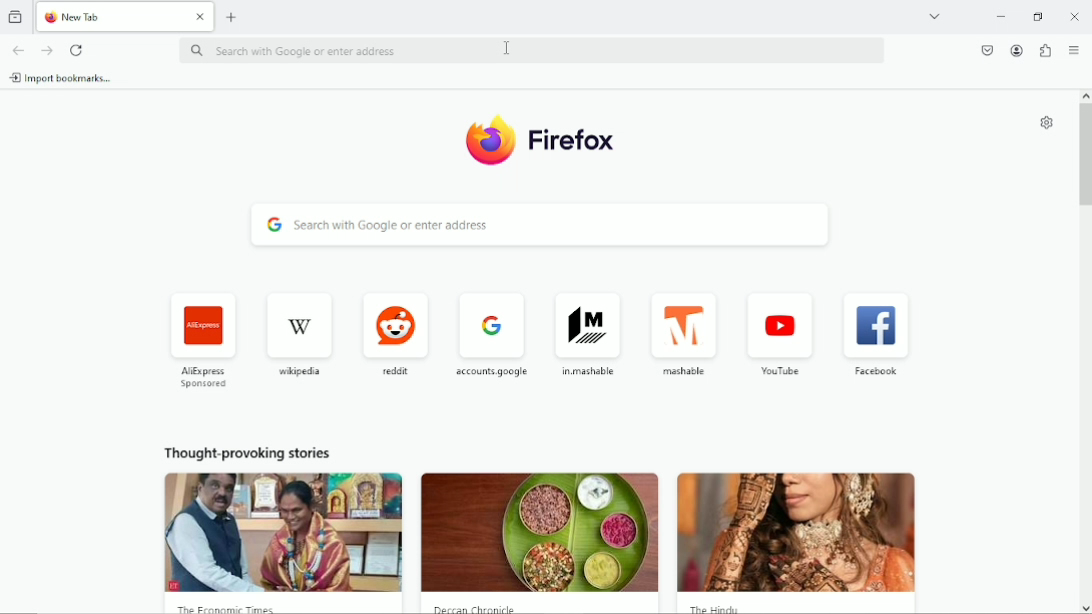 This screenshot has width=1092, height=614. I want to click on list all tabs, so click(938, 17).